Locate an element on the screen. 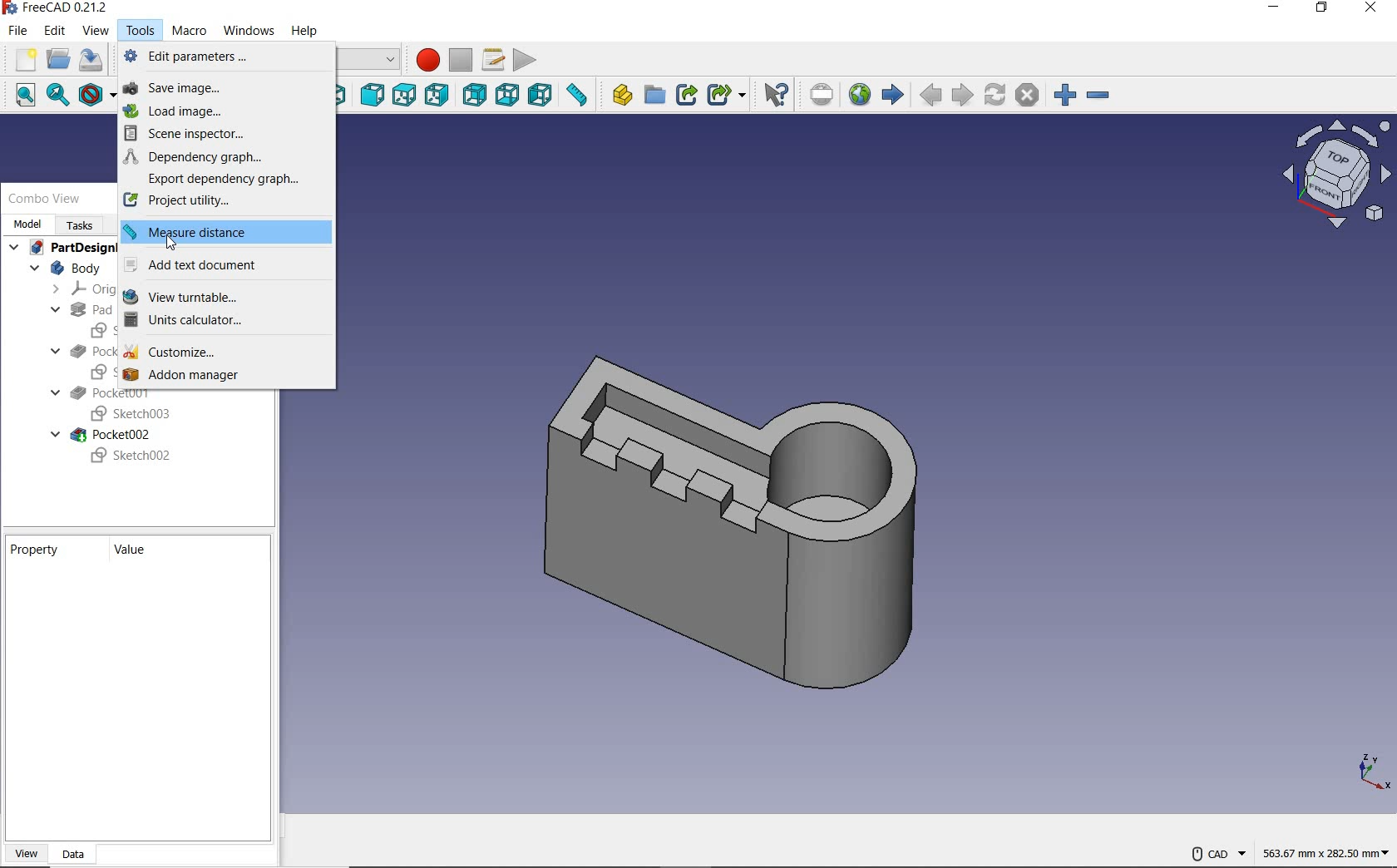 Image resolution: width=1397 pixels, height=868 pixels. stop macro recording is located at coordinates (460, 61).